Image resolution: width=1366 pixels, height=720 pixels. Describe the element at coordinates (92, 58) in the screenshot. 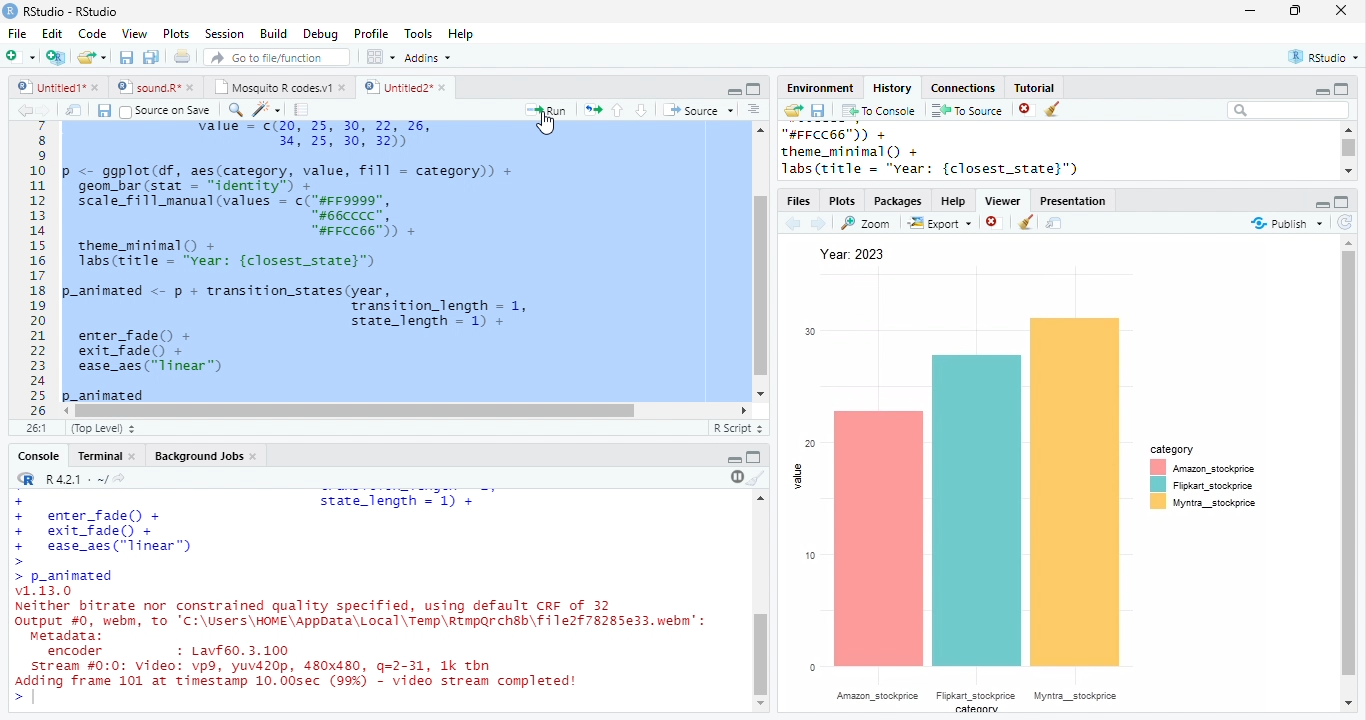

I see `open file` at that location.